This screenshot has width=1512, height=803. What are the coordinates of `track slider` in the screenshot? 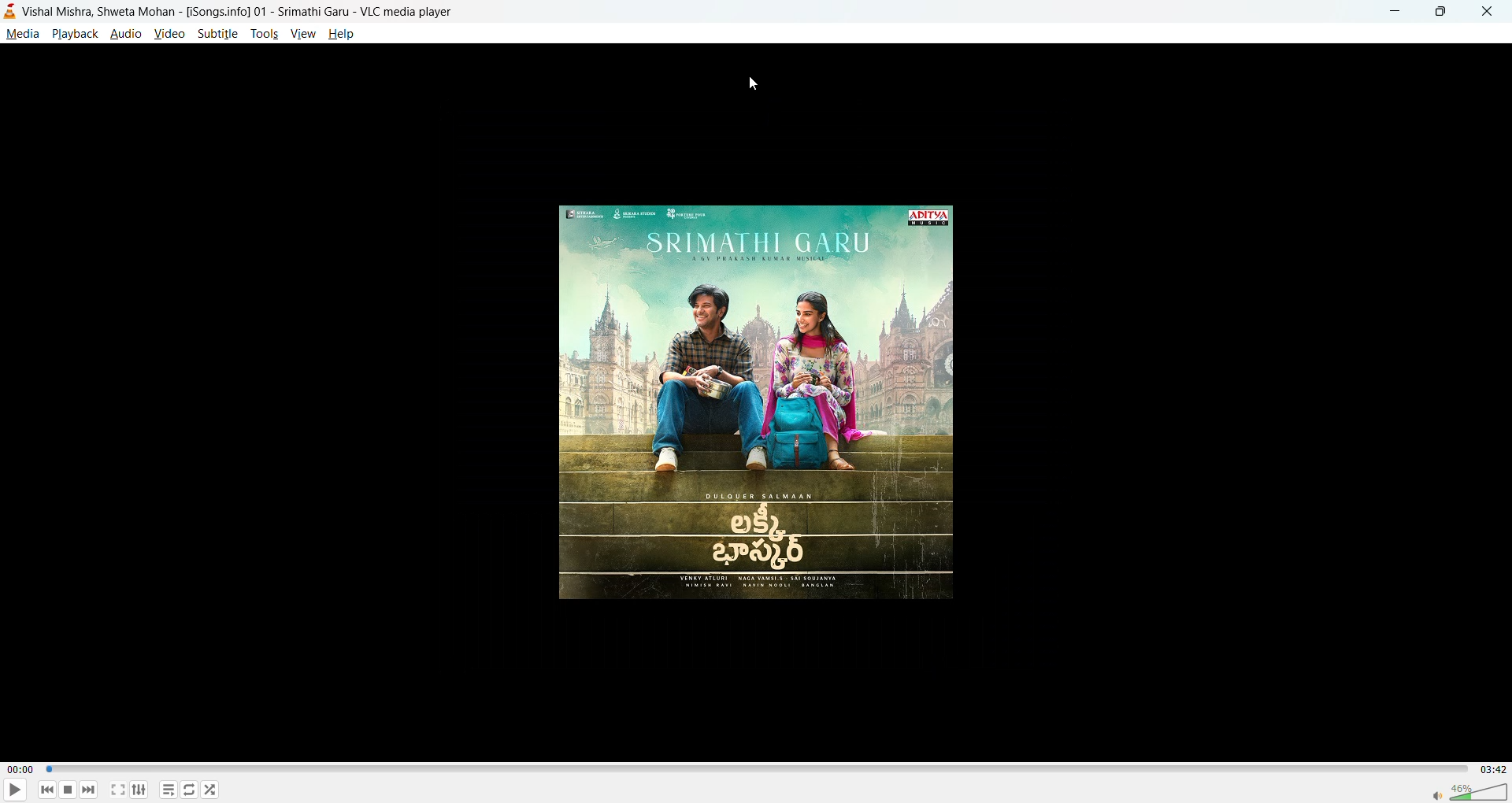 It's located at (754, 770).